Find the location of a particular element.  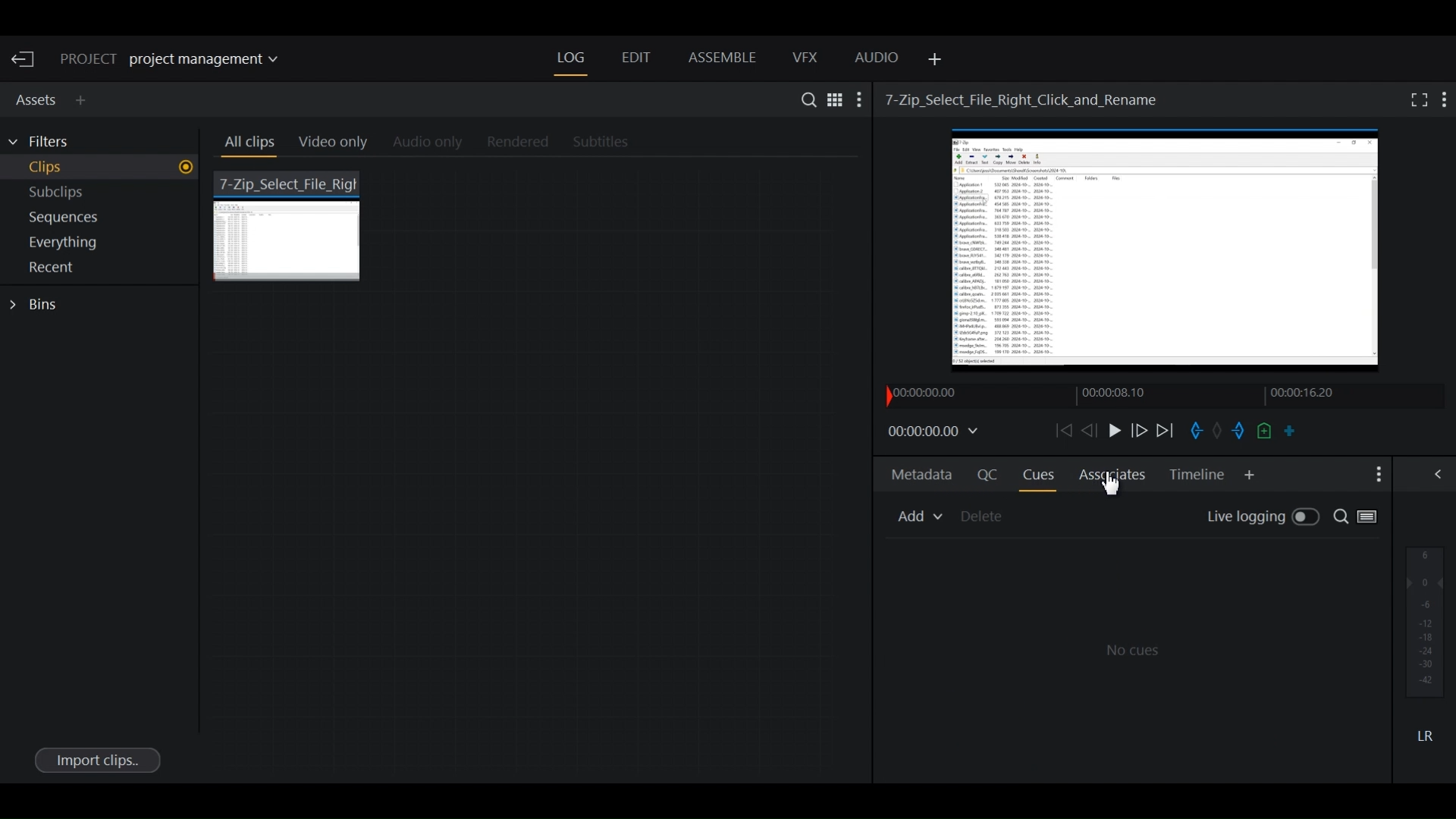

Toggle between list and tile view is located at coordinates (1372, 519).